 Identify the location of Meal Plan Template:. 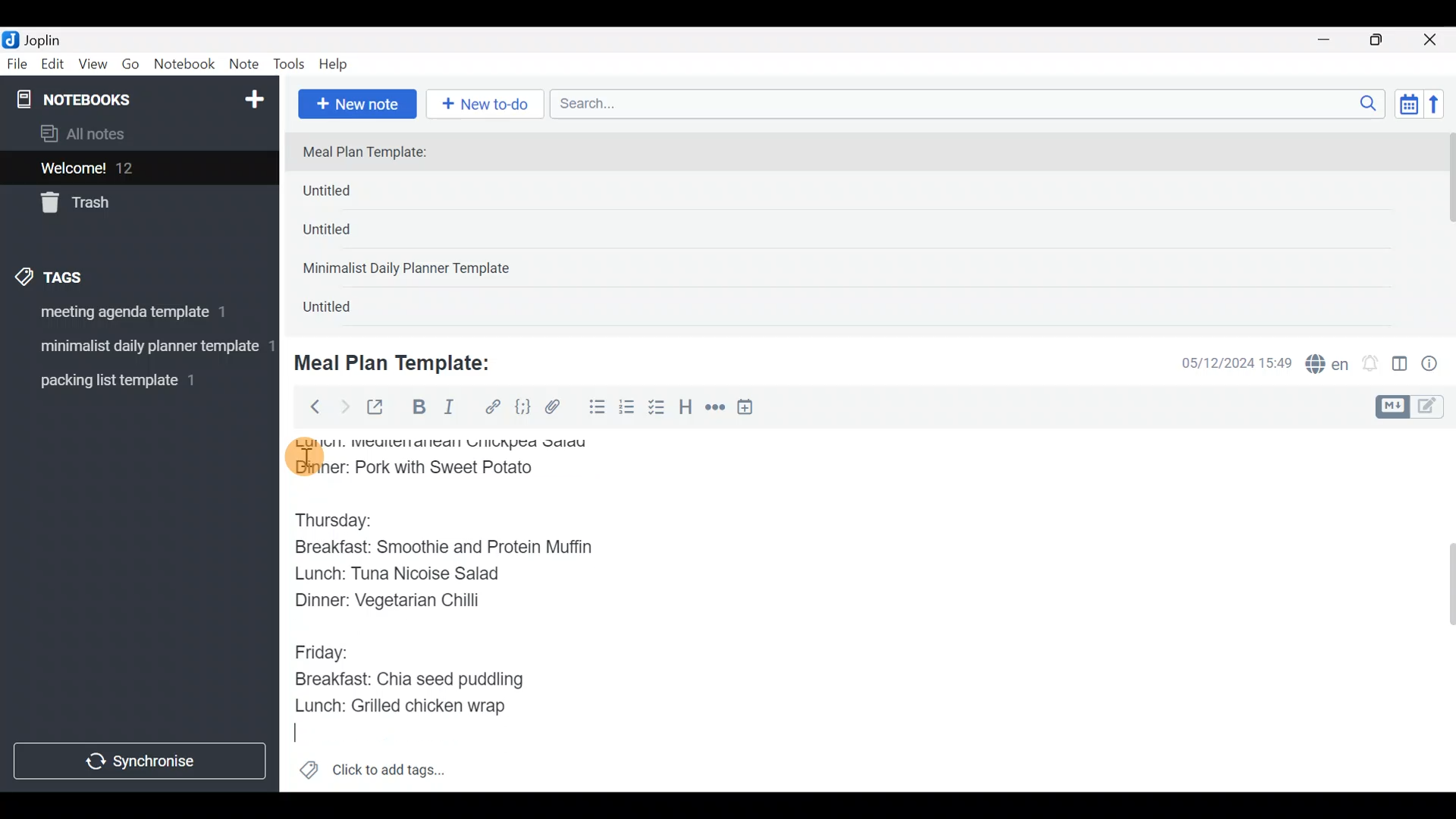
(402, 361).